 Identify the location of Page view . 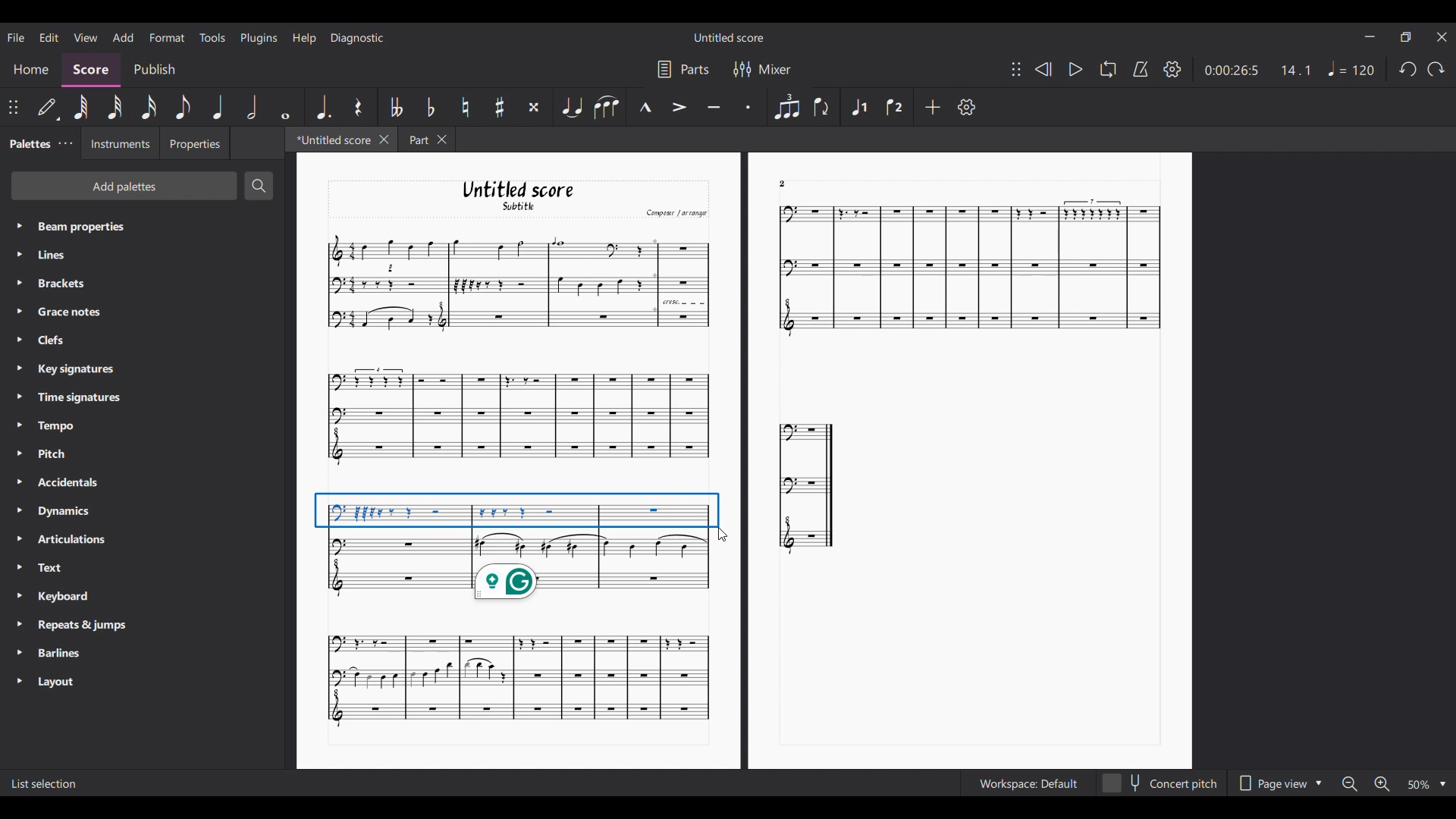
(1279, 783).